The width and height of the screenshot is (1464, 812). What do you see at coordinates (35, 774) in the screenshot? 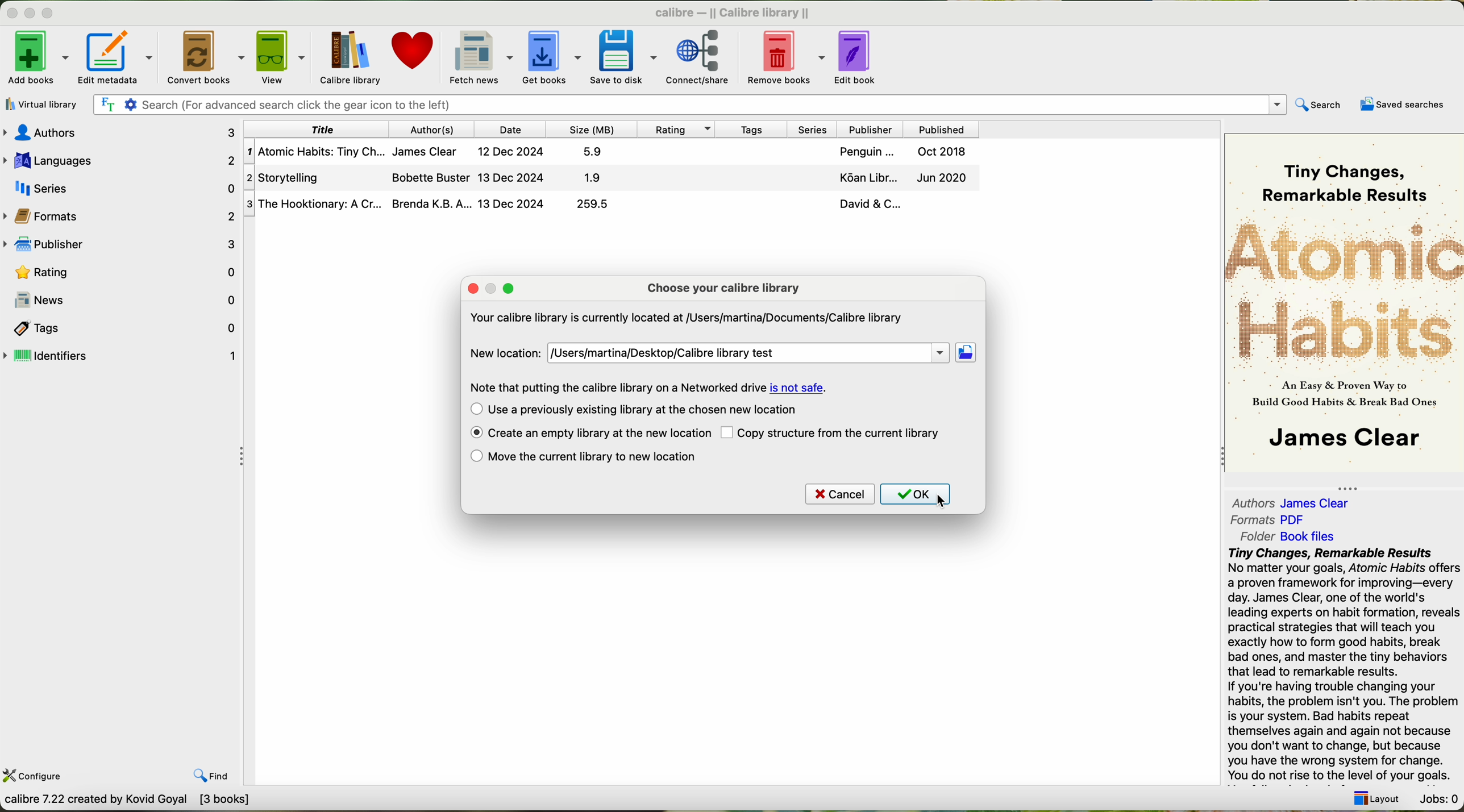
I see `configure` at bounding box center [35, 774].